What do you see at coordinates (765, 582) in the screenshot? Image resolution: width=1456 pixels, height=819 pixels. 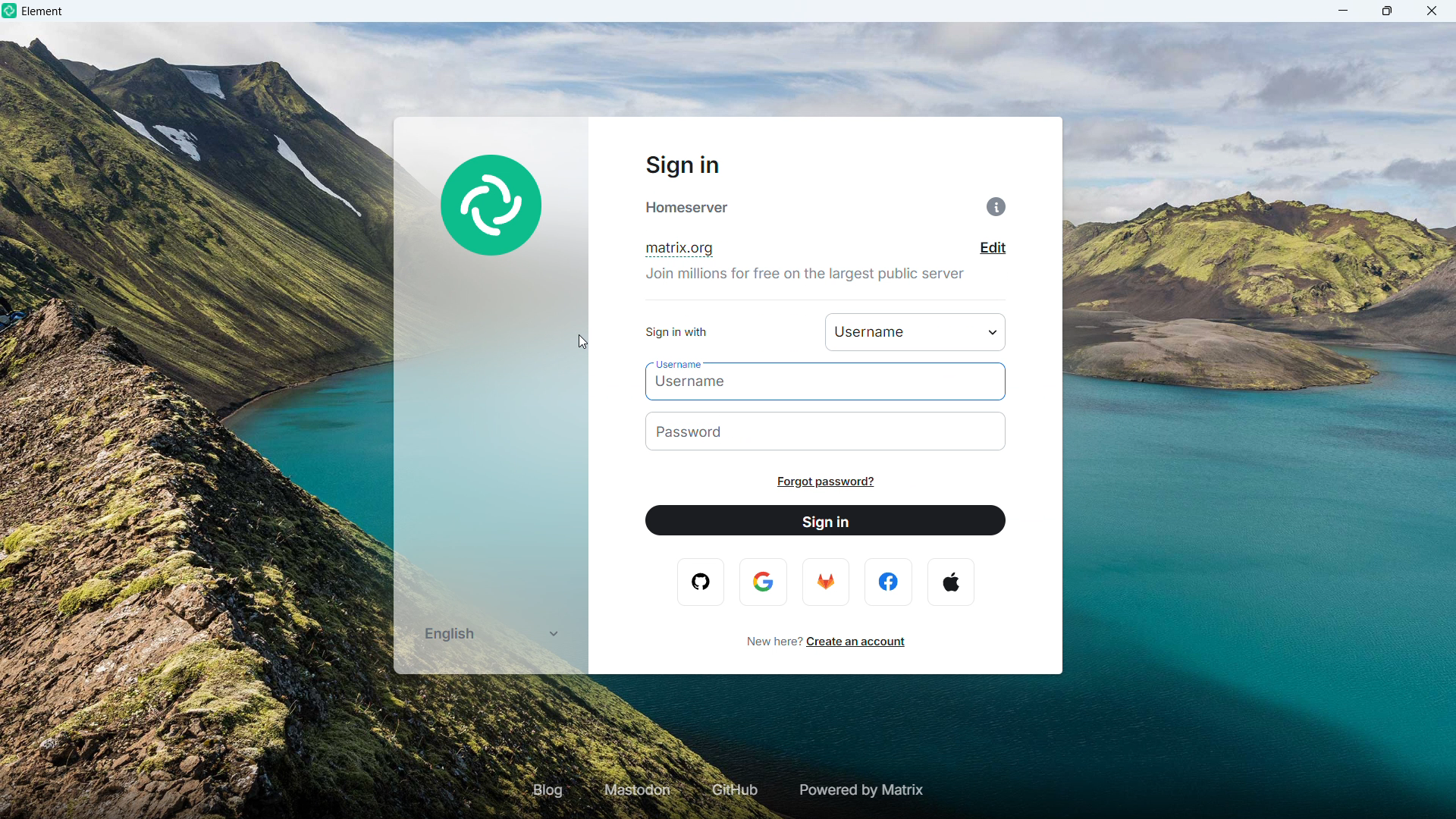 I see `google logo` at bounding box center [765, 582].